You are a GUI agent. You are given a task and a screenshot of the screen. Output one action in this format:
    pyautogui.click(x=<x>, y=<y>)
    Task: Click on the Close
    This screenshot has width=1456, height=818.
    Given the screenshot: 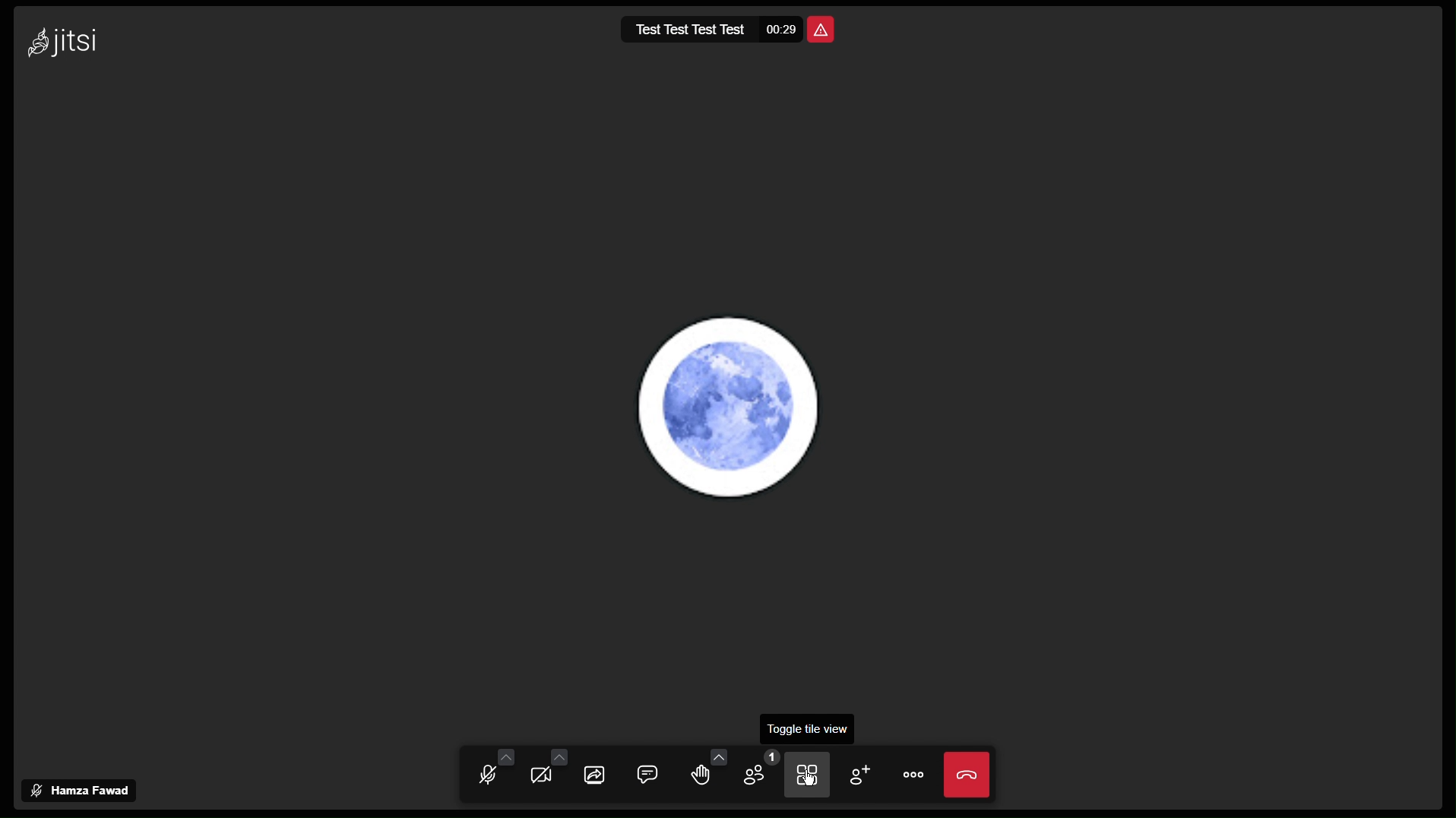 What is the action you would take?
    pyautogui.click(x=969, y=776)
    